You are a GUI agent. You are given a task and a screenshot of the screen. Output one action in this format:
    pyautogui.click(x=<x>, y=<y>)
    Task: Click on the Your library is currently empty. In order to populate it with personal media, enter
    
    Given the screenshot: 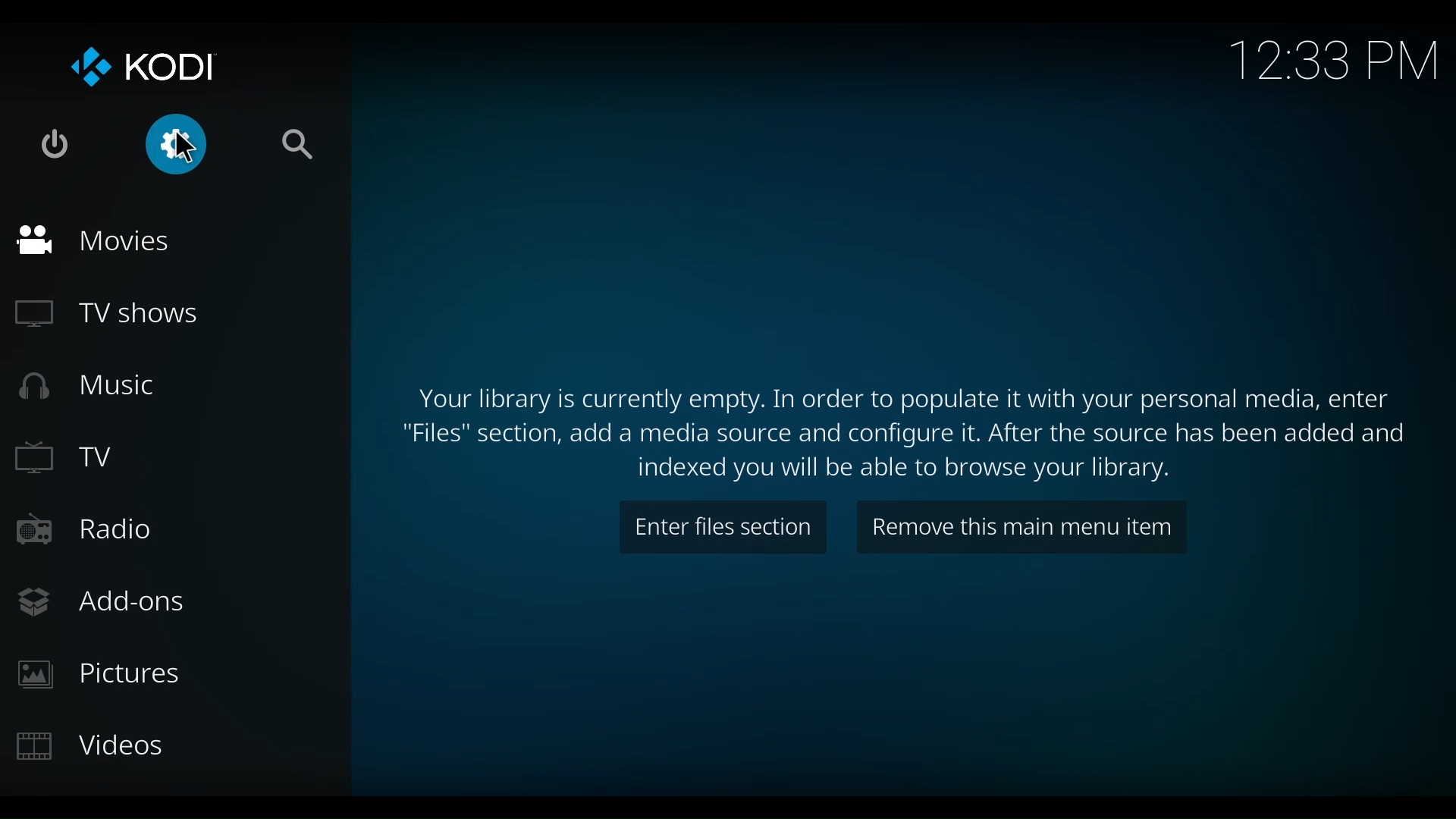 What is the action you would take?
    pyautogui.click(x=900, y=399)
    